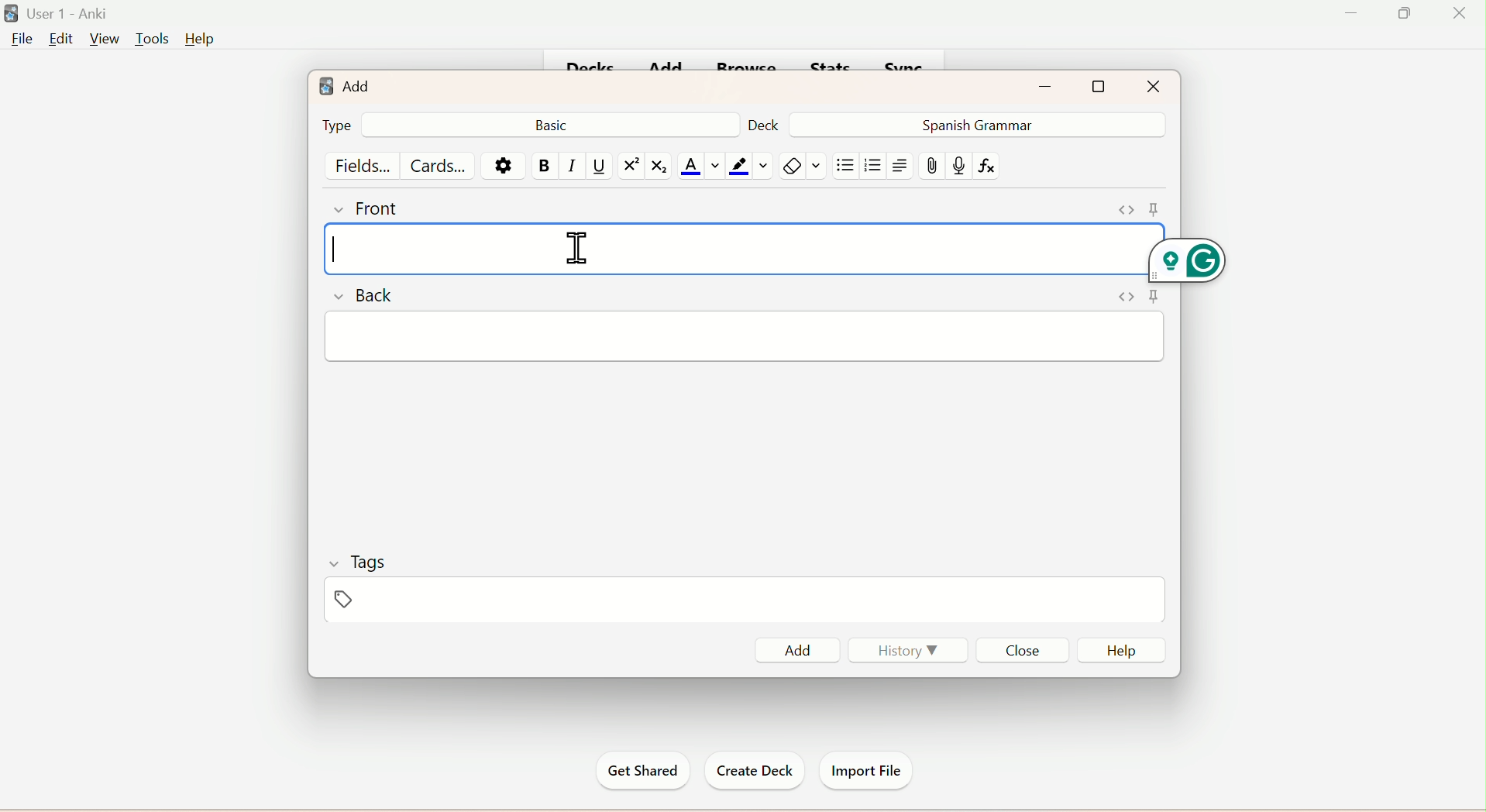 The image size is (1486, 812). I want to click on Minimize, so click(1354, 13).